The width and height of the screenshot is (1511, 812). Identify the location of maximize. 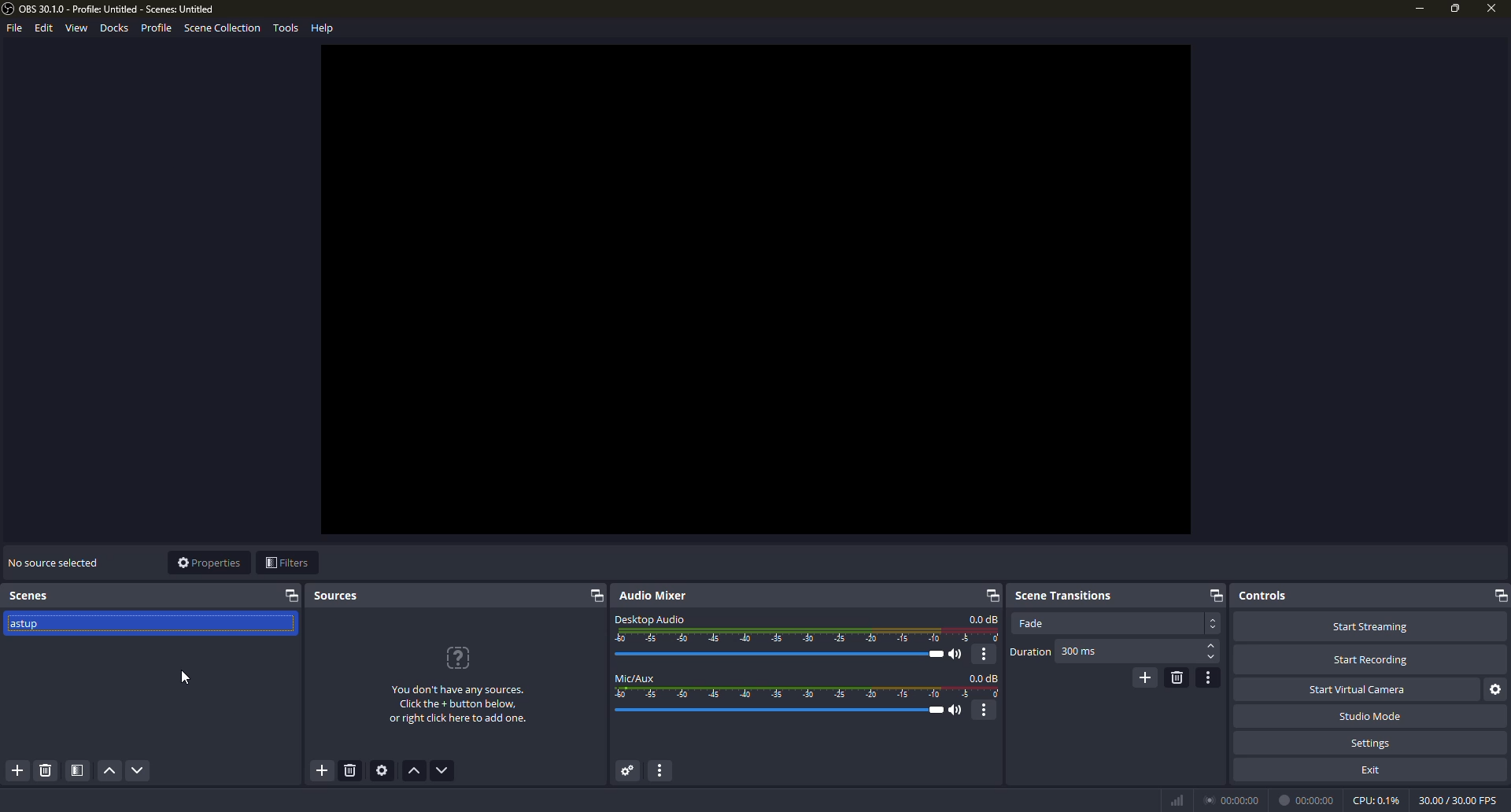
(1455, 8).